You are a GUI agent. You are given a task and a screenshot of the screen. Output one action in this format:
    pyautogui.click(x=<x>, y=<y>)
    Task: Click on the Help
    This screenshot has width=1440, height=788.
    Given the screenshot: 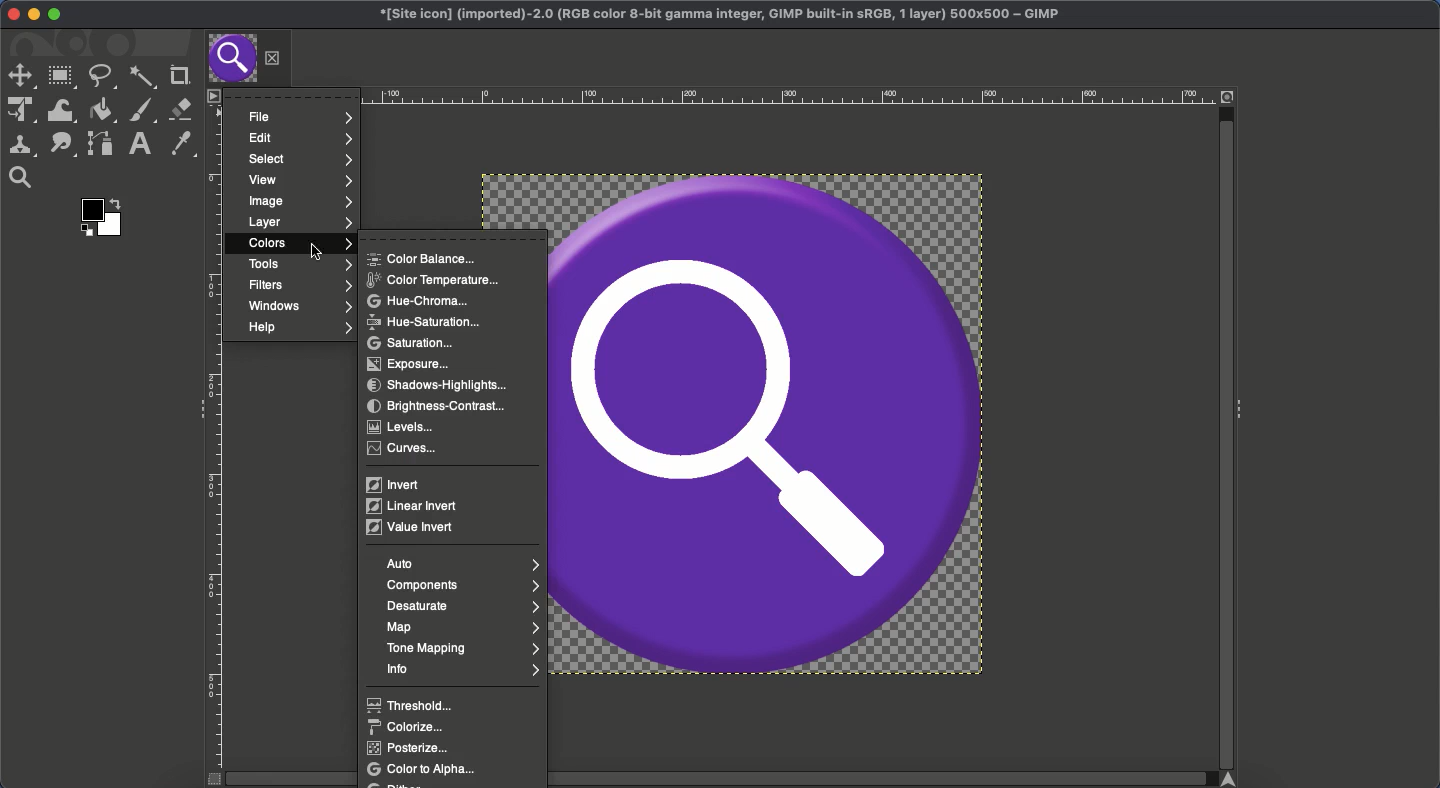 What is the action you would take?
    pyautogui.click(x=296, y=328)
    